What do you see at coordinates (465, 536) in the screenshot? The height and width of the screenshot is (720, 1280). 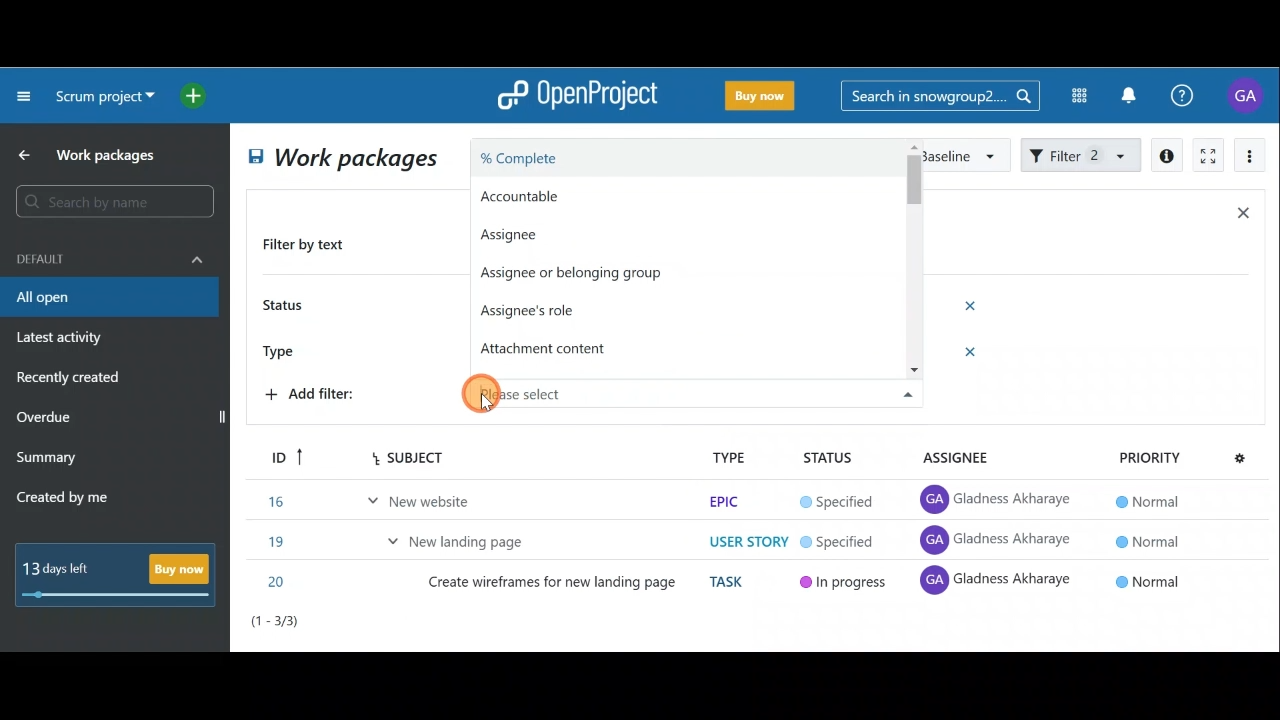 I see `Item 15` at bounding box center [465, 536].